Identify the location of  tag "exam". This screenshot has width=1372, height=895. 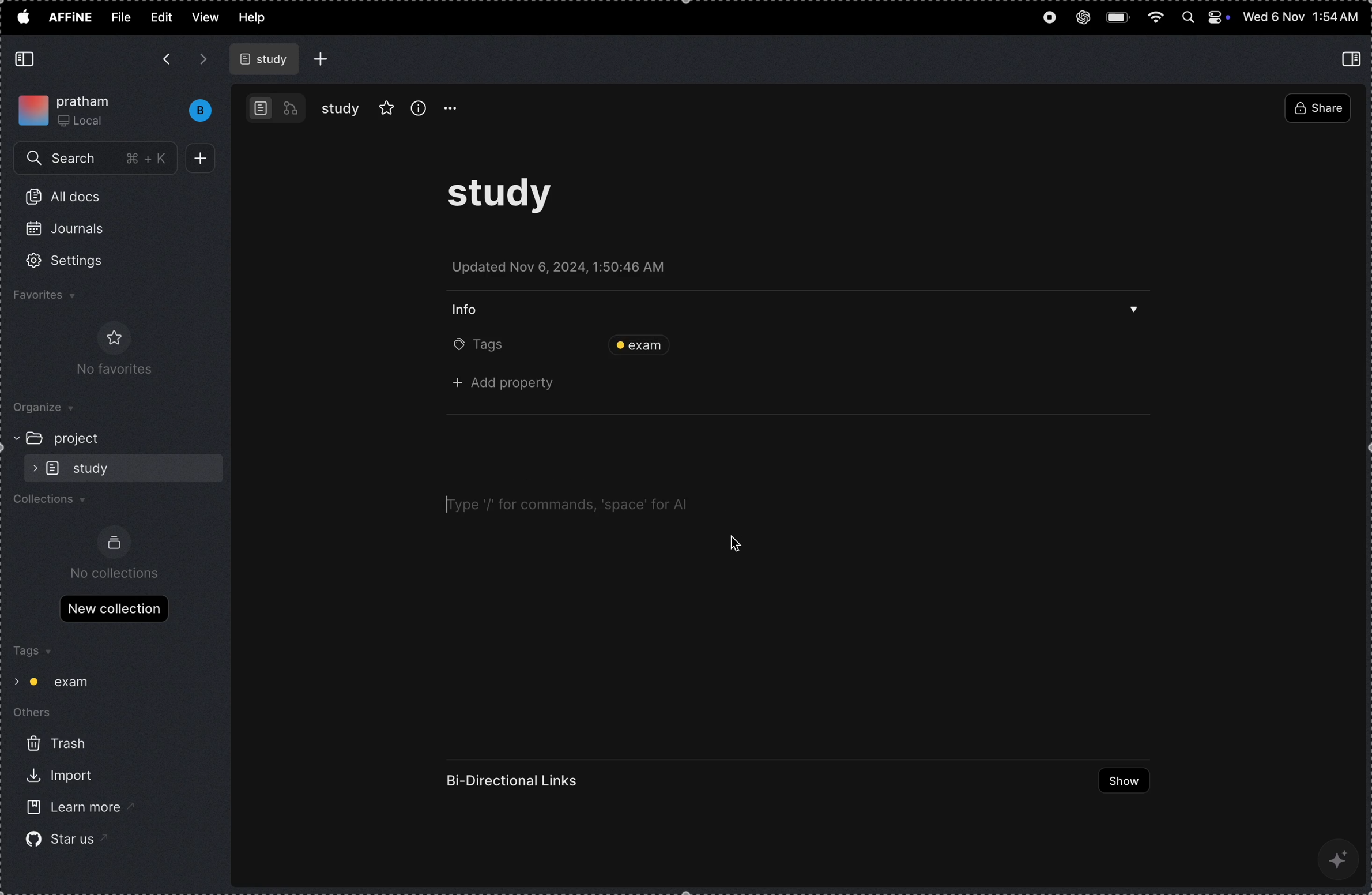
(65, 682).